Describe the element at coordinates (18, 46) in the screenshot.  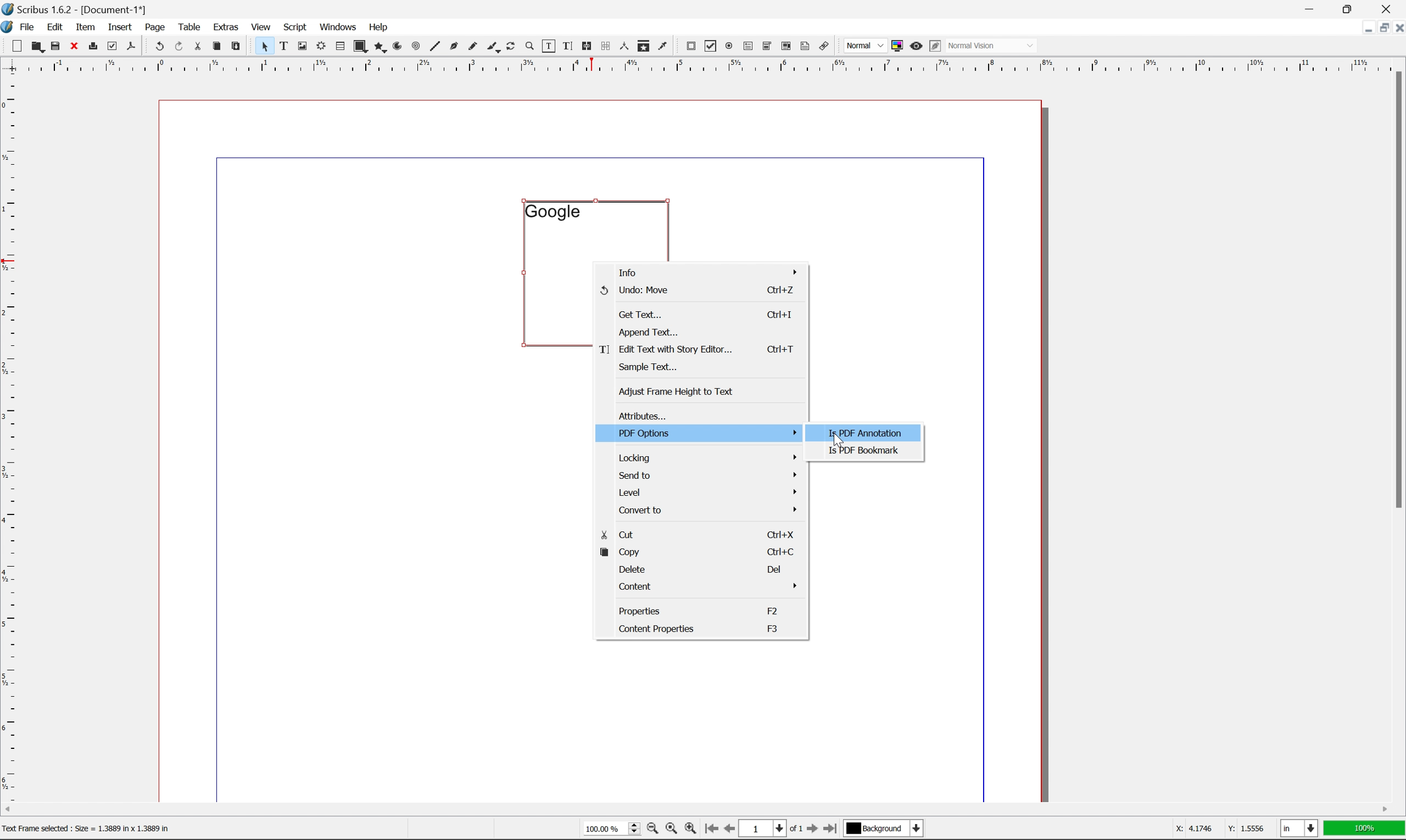
I see `new` at that location.